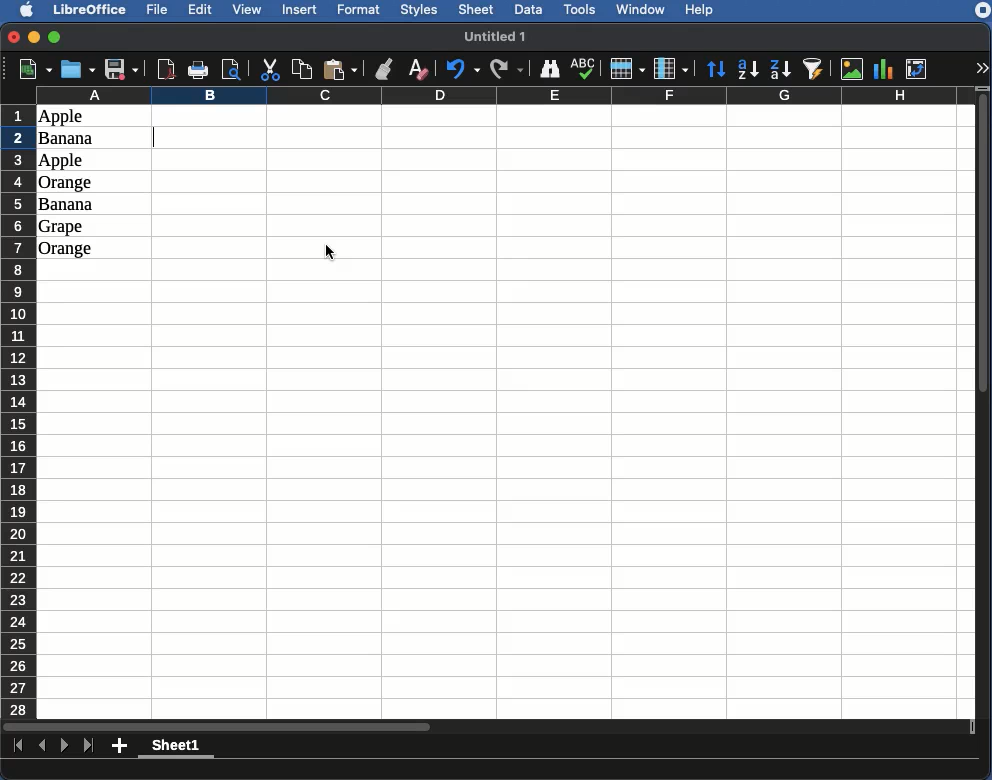 The height and width of the screenshot is (780, 992). I want to click on Scroll, so click(985, 407).